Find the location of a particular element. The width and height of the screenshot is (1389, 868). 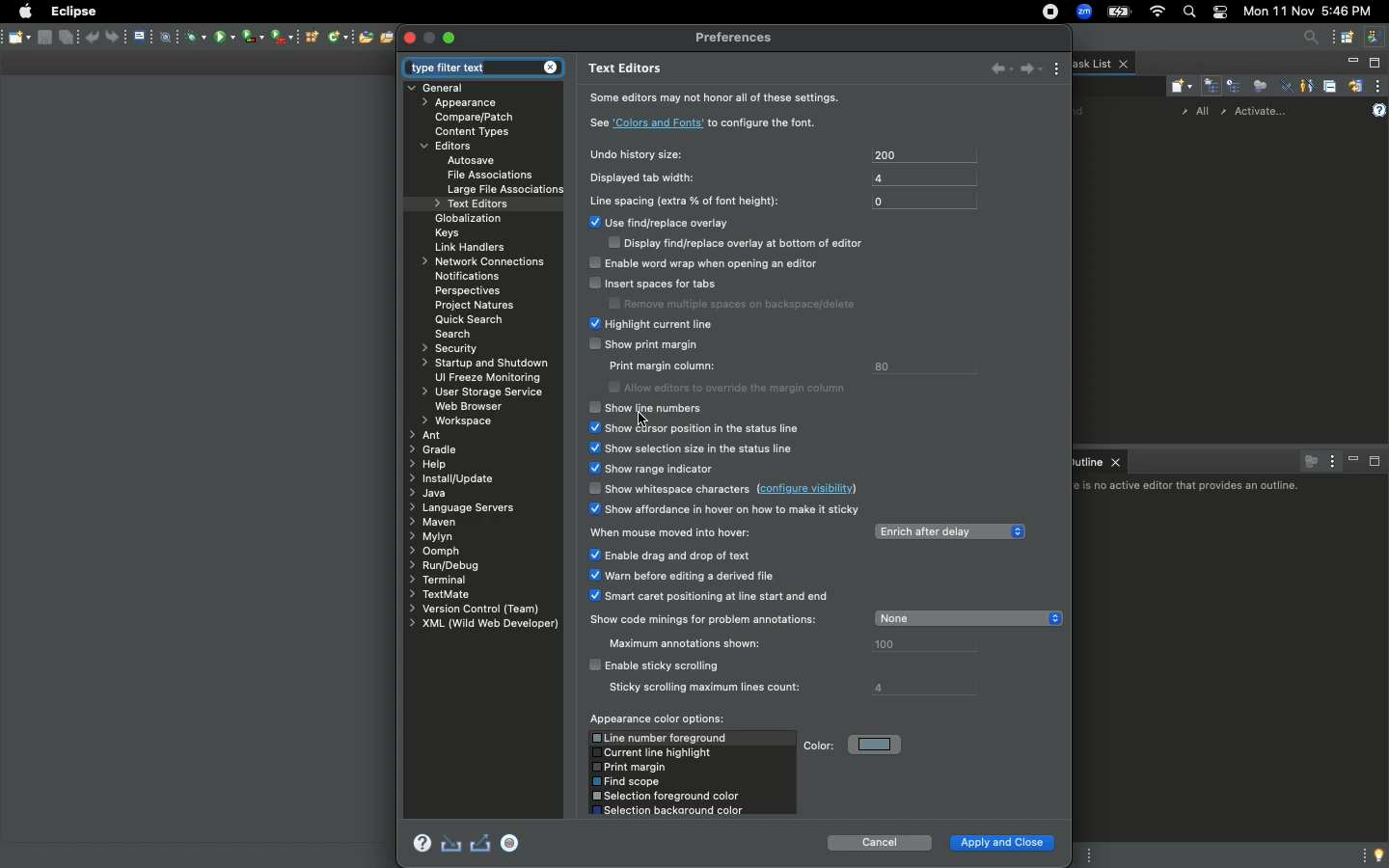

4 is located at coordinates (922, 177).